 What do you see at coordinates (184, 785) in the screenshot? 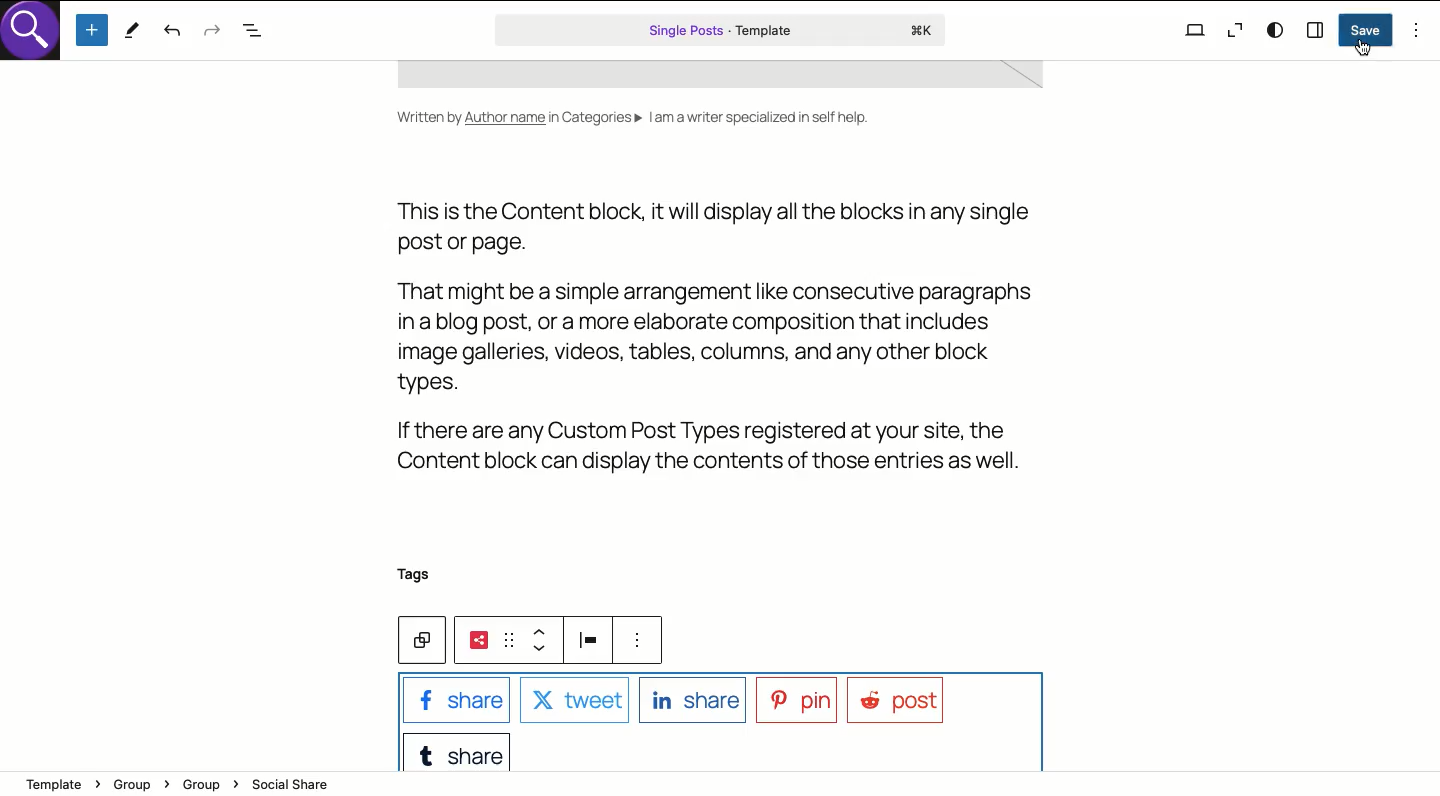
I see `Template > Group > Group > Social Share` at bounding box center [184, 785].